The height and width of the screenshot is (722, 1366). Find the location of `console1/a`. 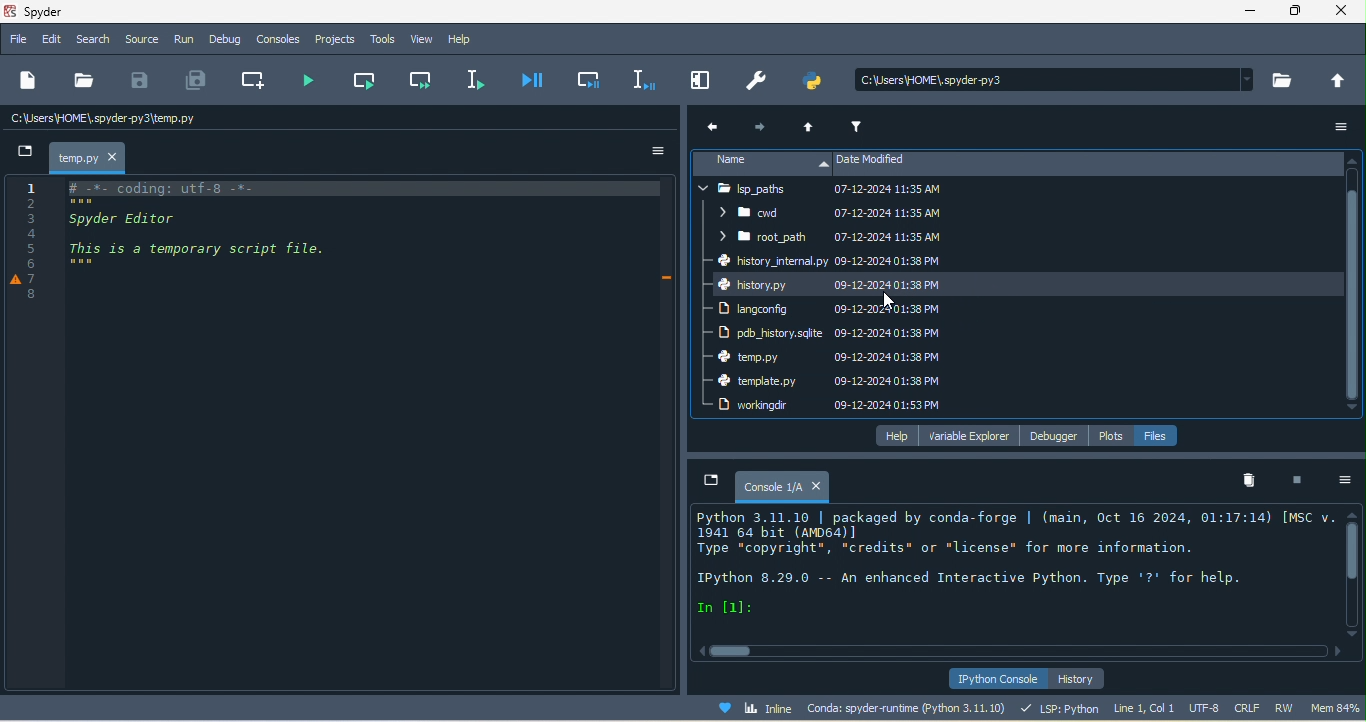

console1/a is located at coordinates (767, 483).